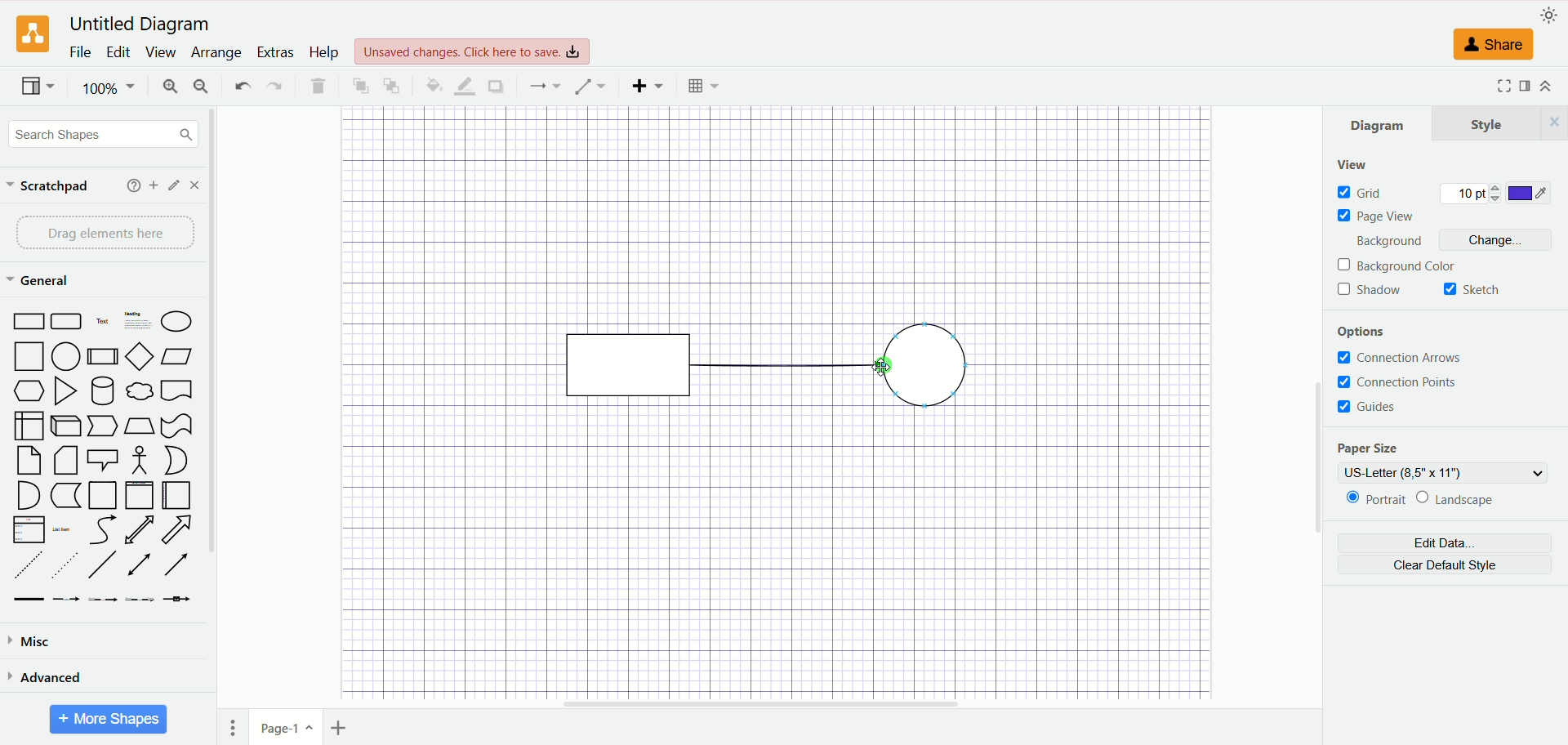 Image resolution: width=1568 pixels, height=745 pixels. I want to click on Unsaved changes. Click here to save., so click(474, 51).